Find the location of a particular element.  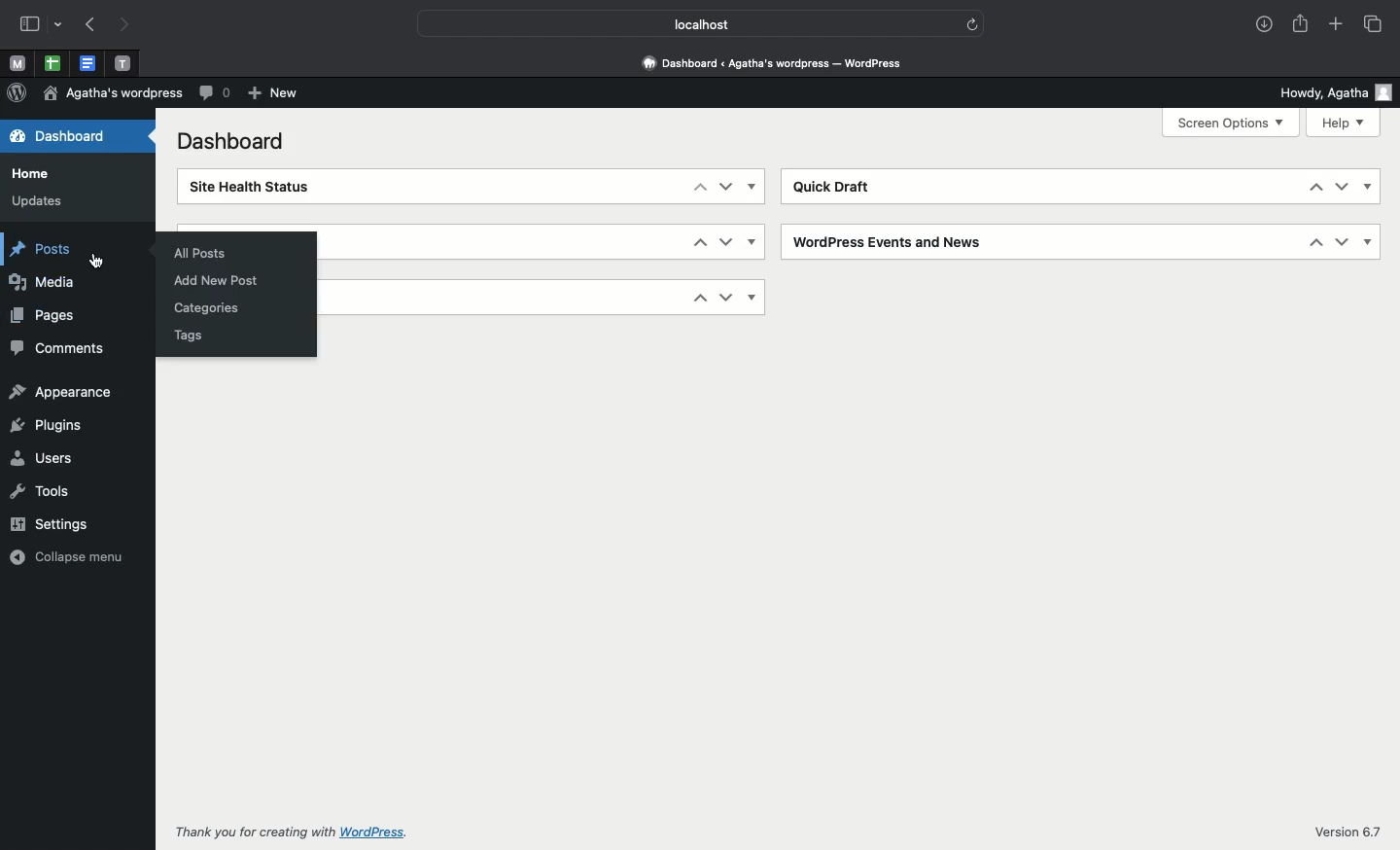

Down is located at coordinates (724, 297).